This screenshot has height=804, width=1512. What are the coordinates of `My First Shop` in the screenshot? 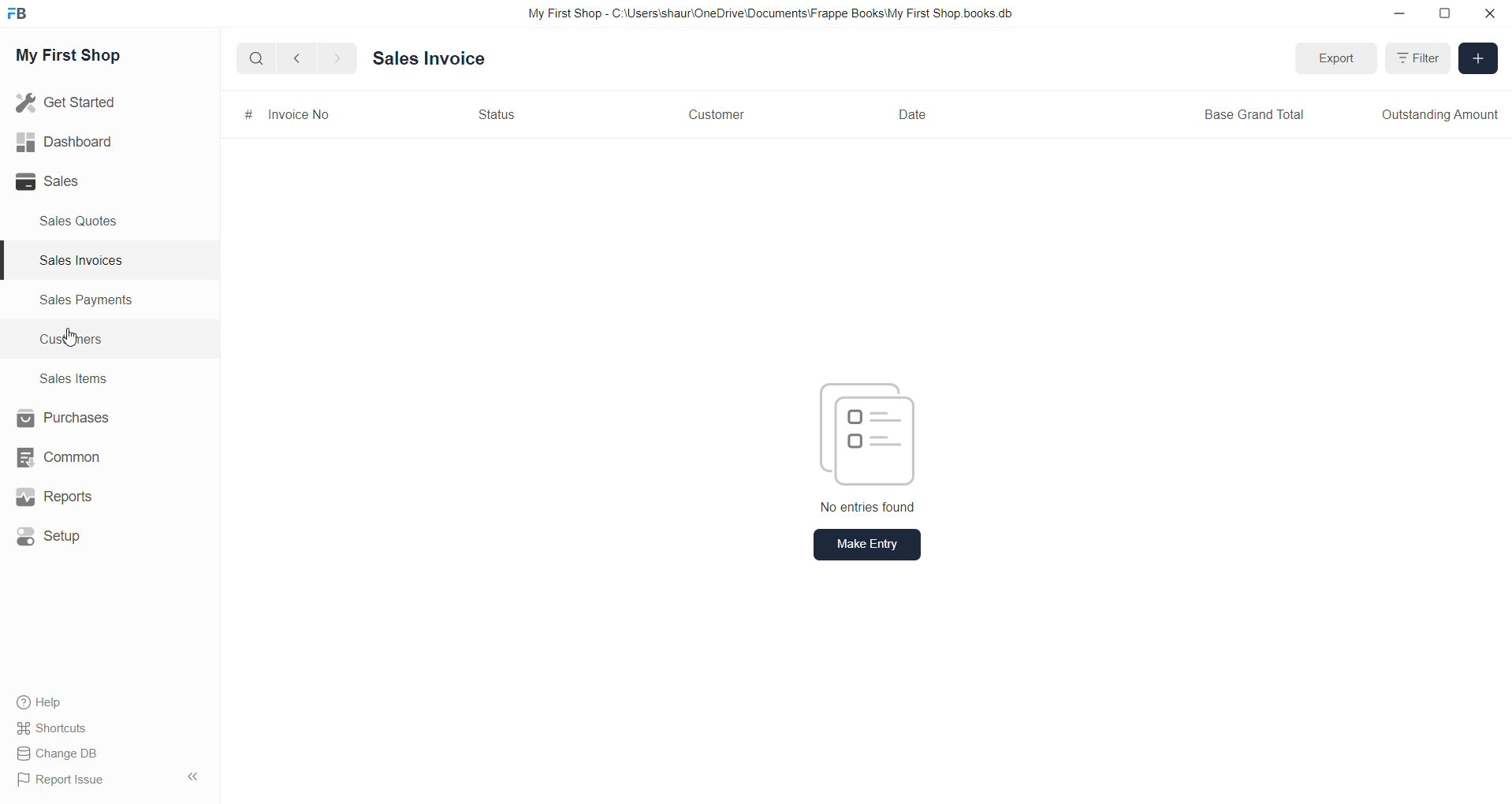 It's located at (87, 60).